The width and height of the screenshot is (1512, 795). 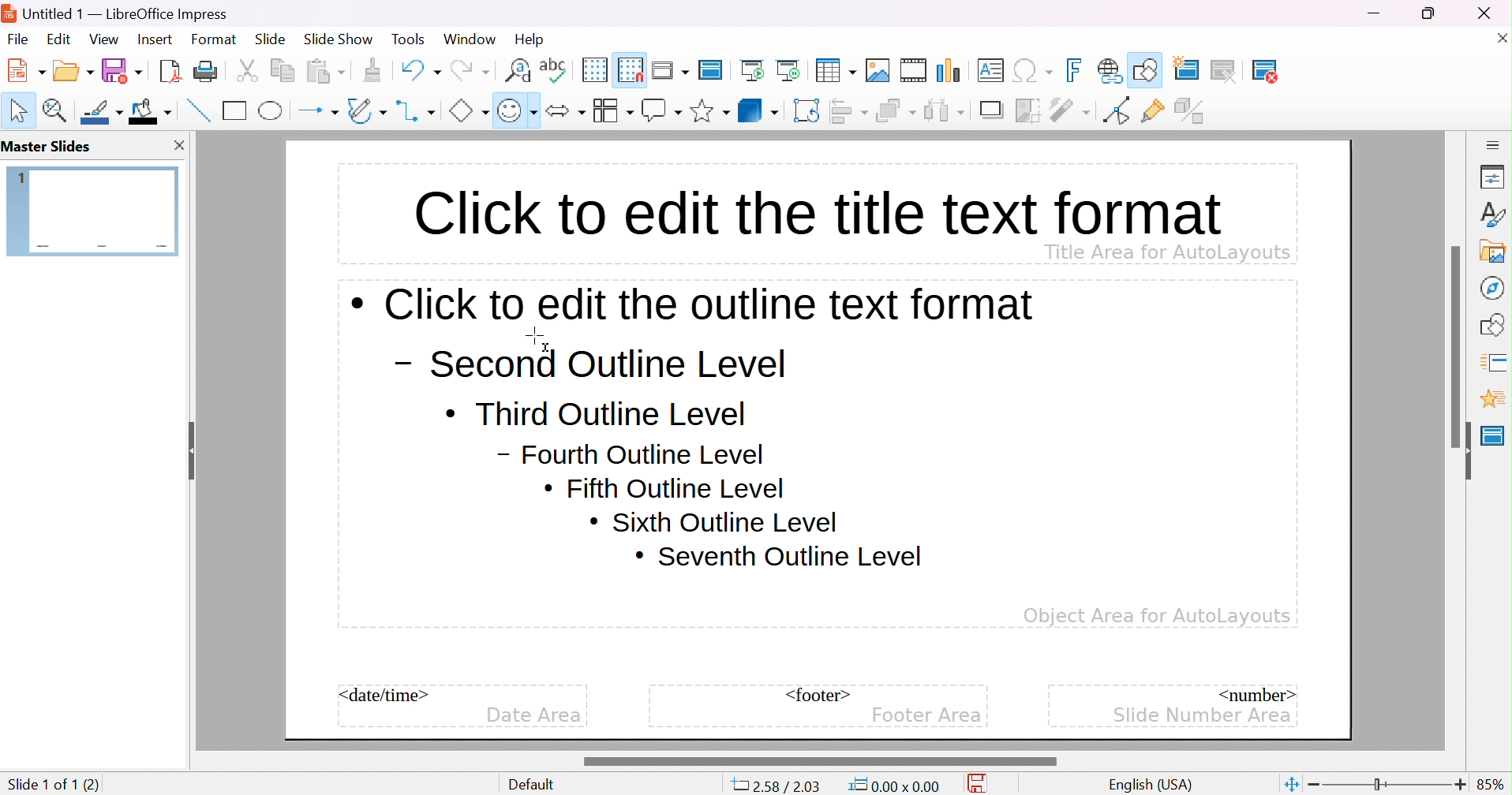 What do you see at coordinates (326, 69) in the screenshot?
I see `paste` at bounding box center [326, 69].